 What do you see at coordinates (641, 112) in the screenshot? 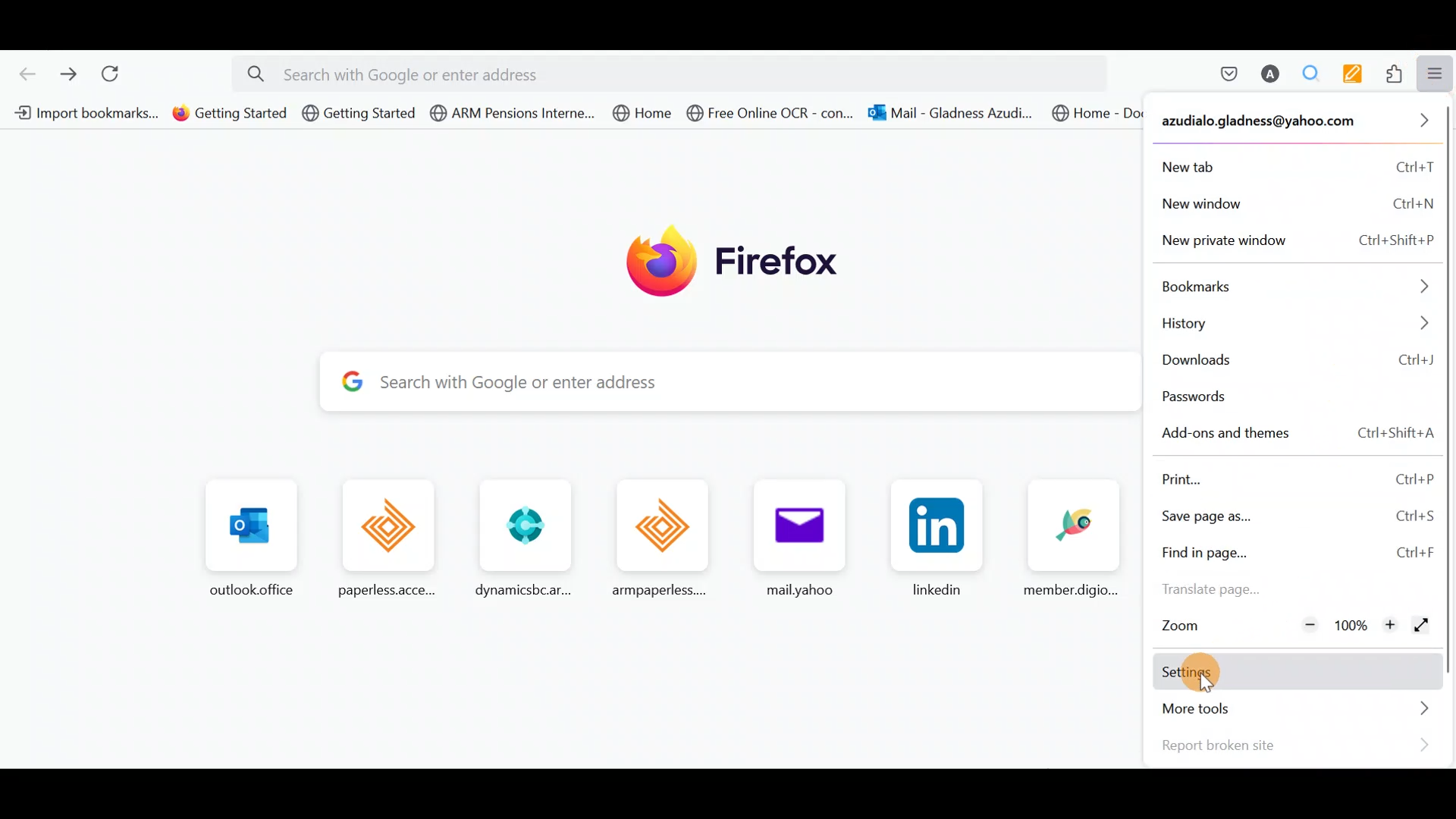
I see `@ Home` at bounding box center [641, 112].